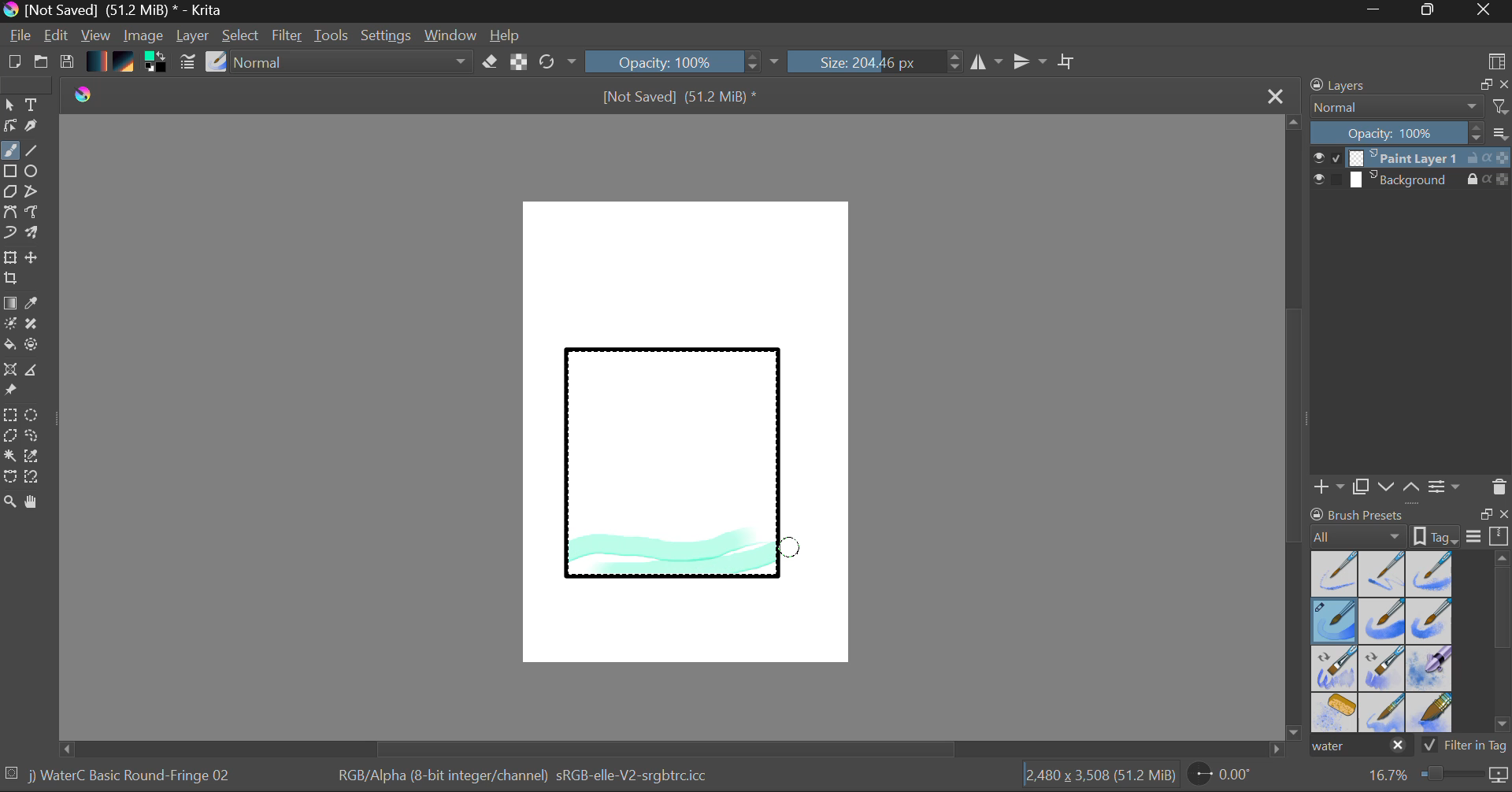  What do you see at coordinates (43, 64) in the screenshot?
I see `Open` at bounding box center [43, 64].